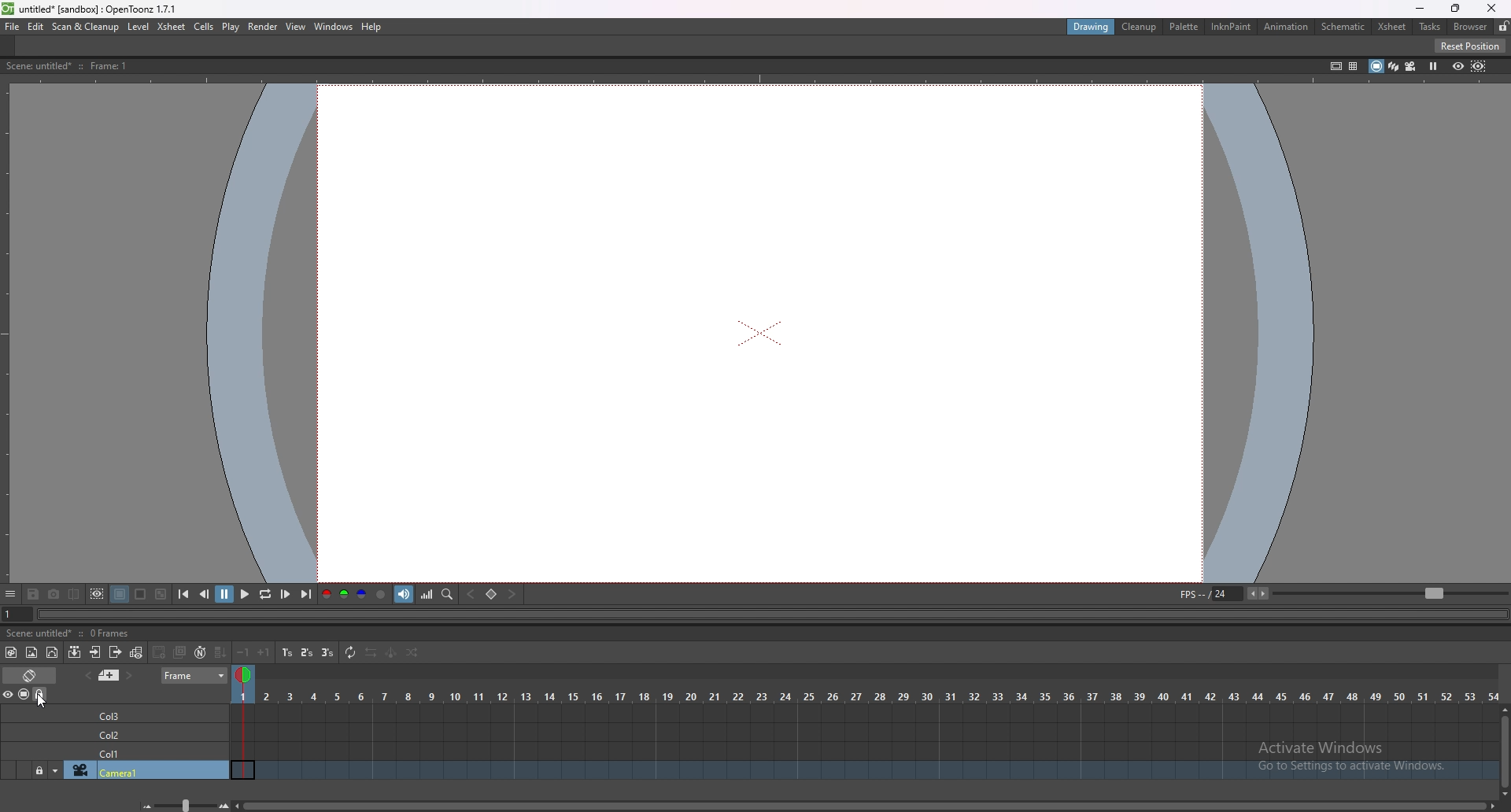  I want to click on column 3, so click(146, 714).